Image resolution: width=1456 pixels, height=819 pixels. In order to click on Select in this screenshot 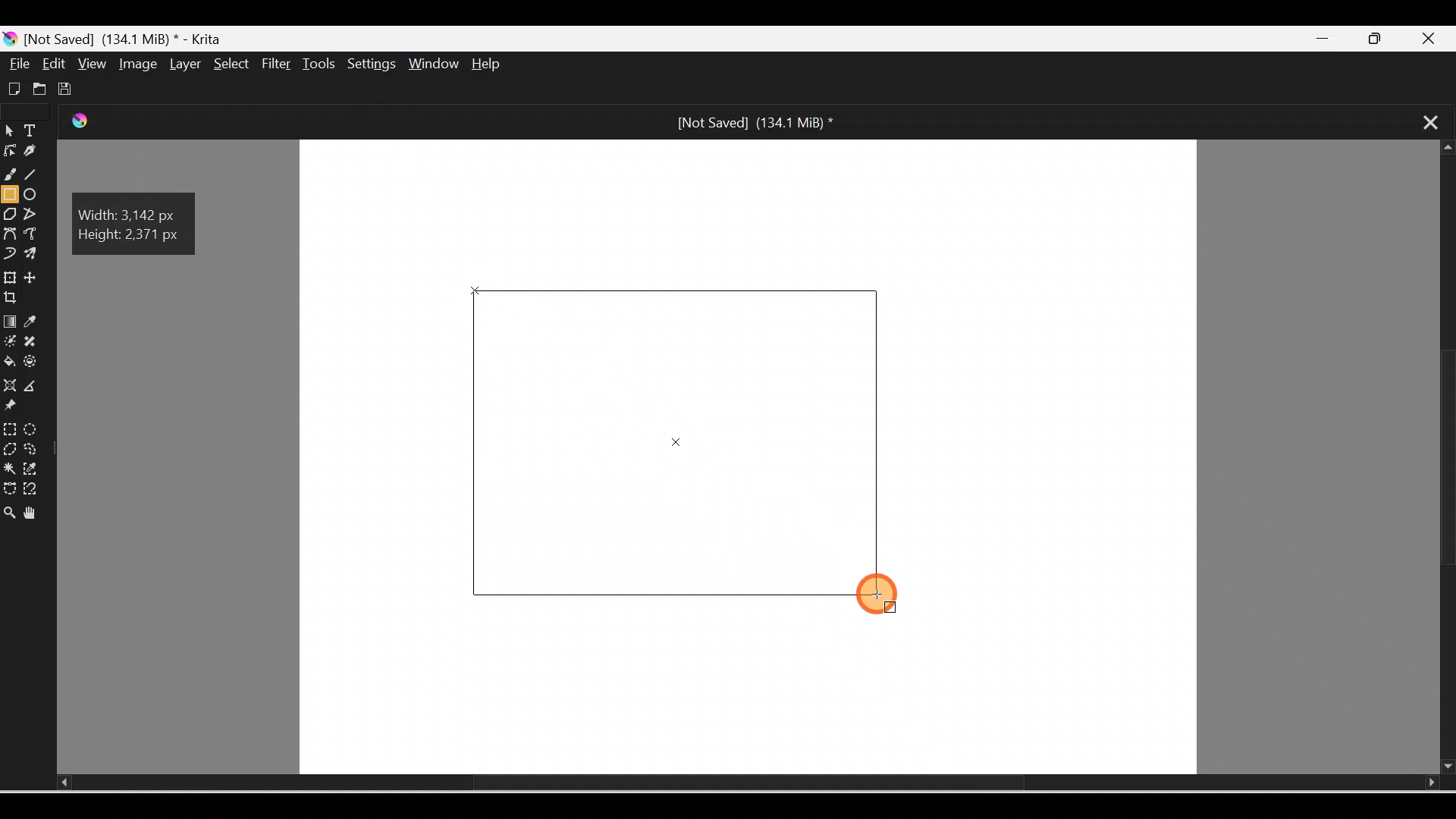, I will do `click(227, 63)`.